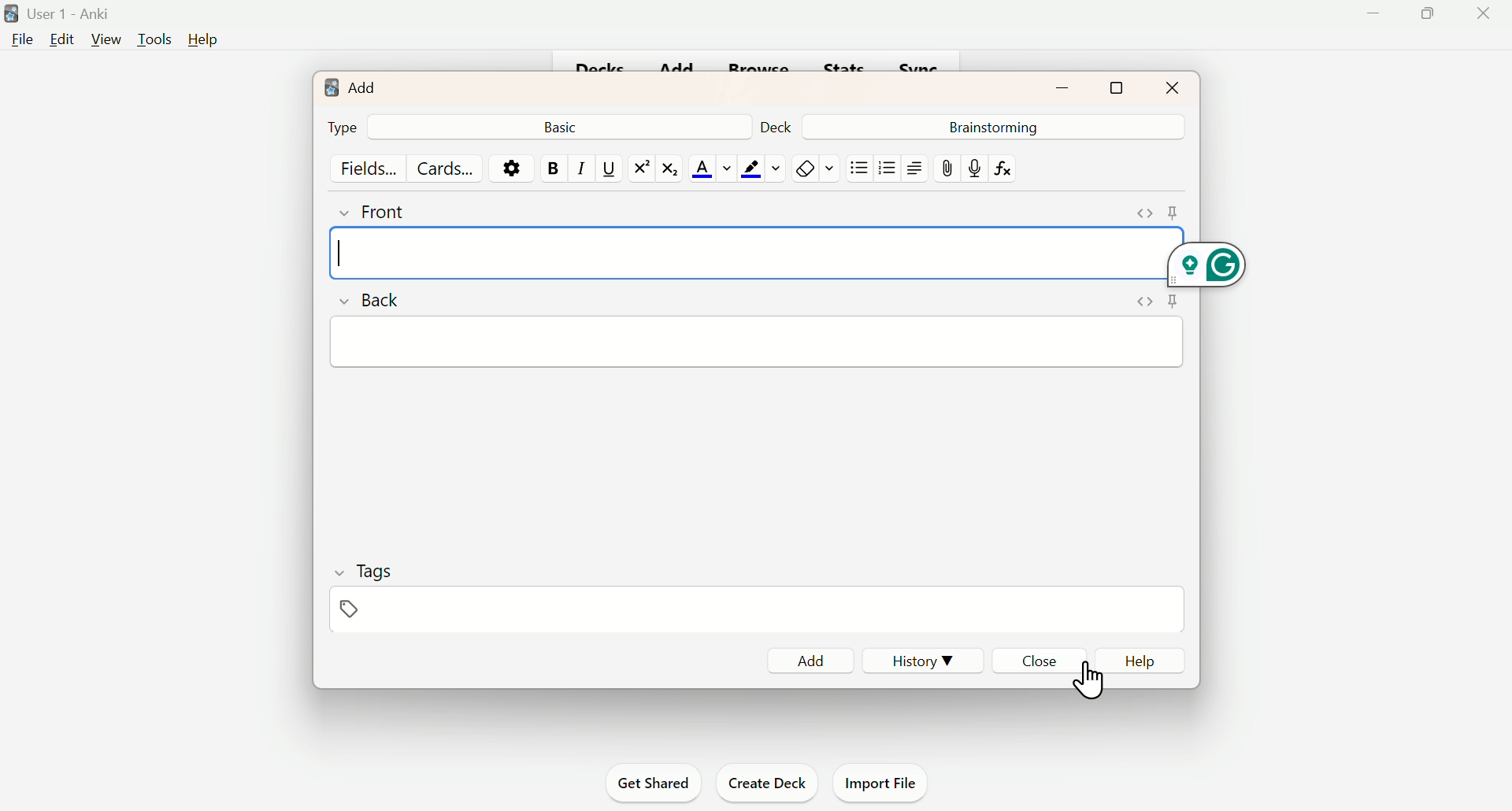  Describe the element at coordinates (65, 38) in the screenshot. I see `` at that location.